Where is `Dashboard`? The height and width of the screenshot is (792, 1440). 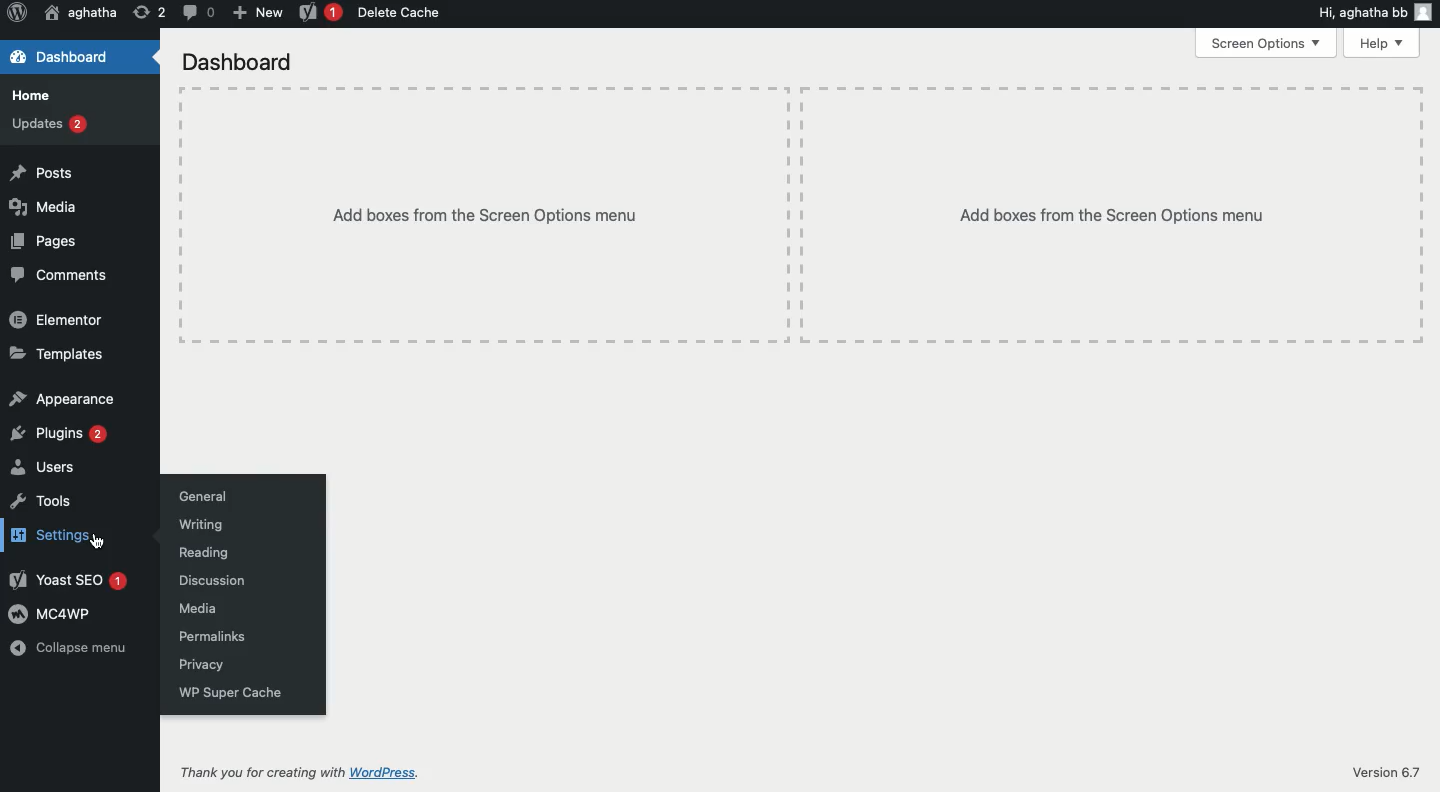
Dashboard is located at coordinates (60, 59).